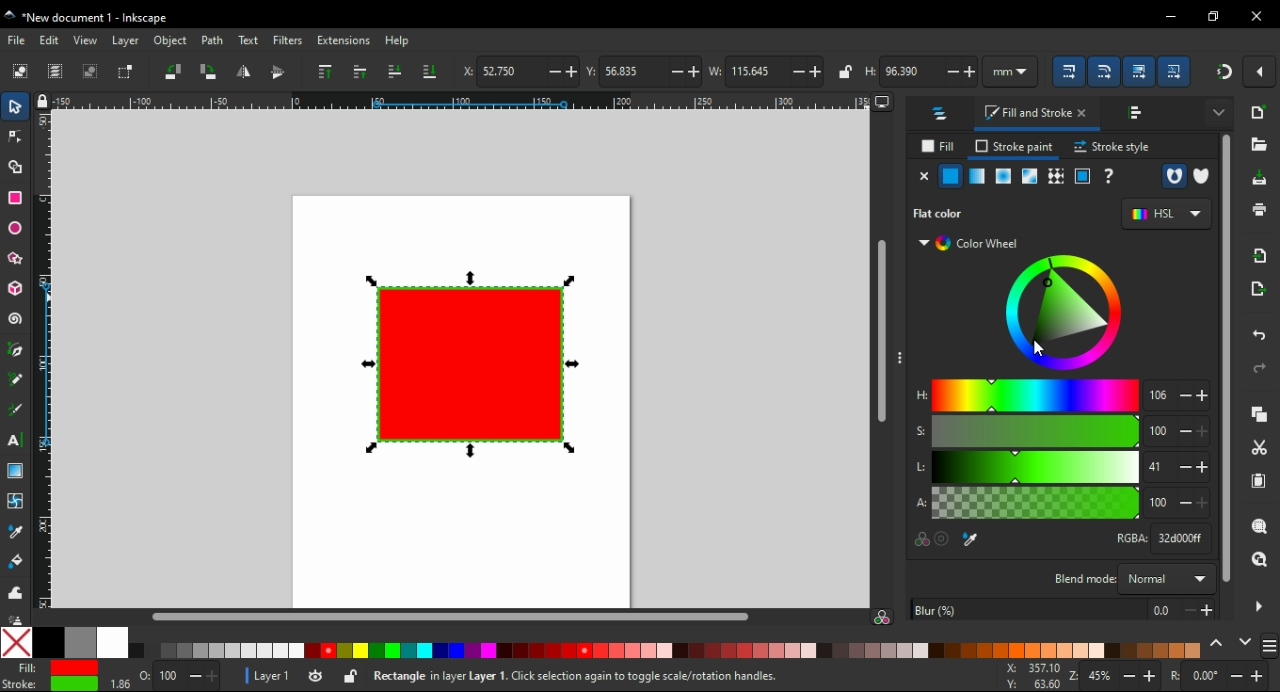 The width and height of the screenshot is (1280, 692). I want to click on color scroll options, so click(1229, 643).